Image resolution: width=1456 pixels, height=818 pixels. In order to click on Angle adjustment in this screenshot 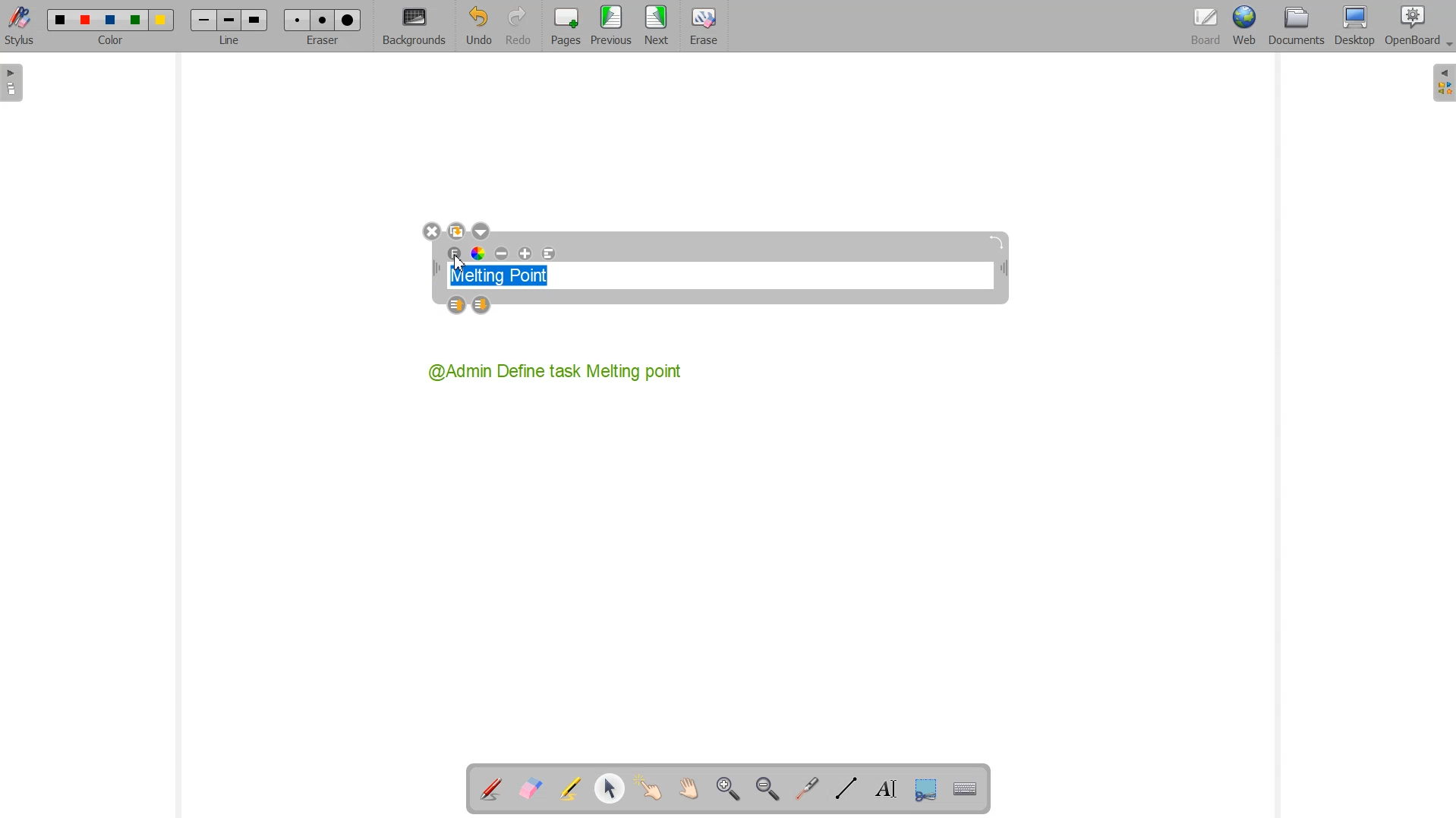, I will do `click(998, 242)`.